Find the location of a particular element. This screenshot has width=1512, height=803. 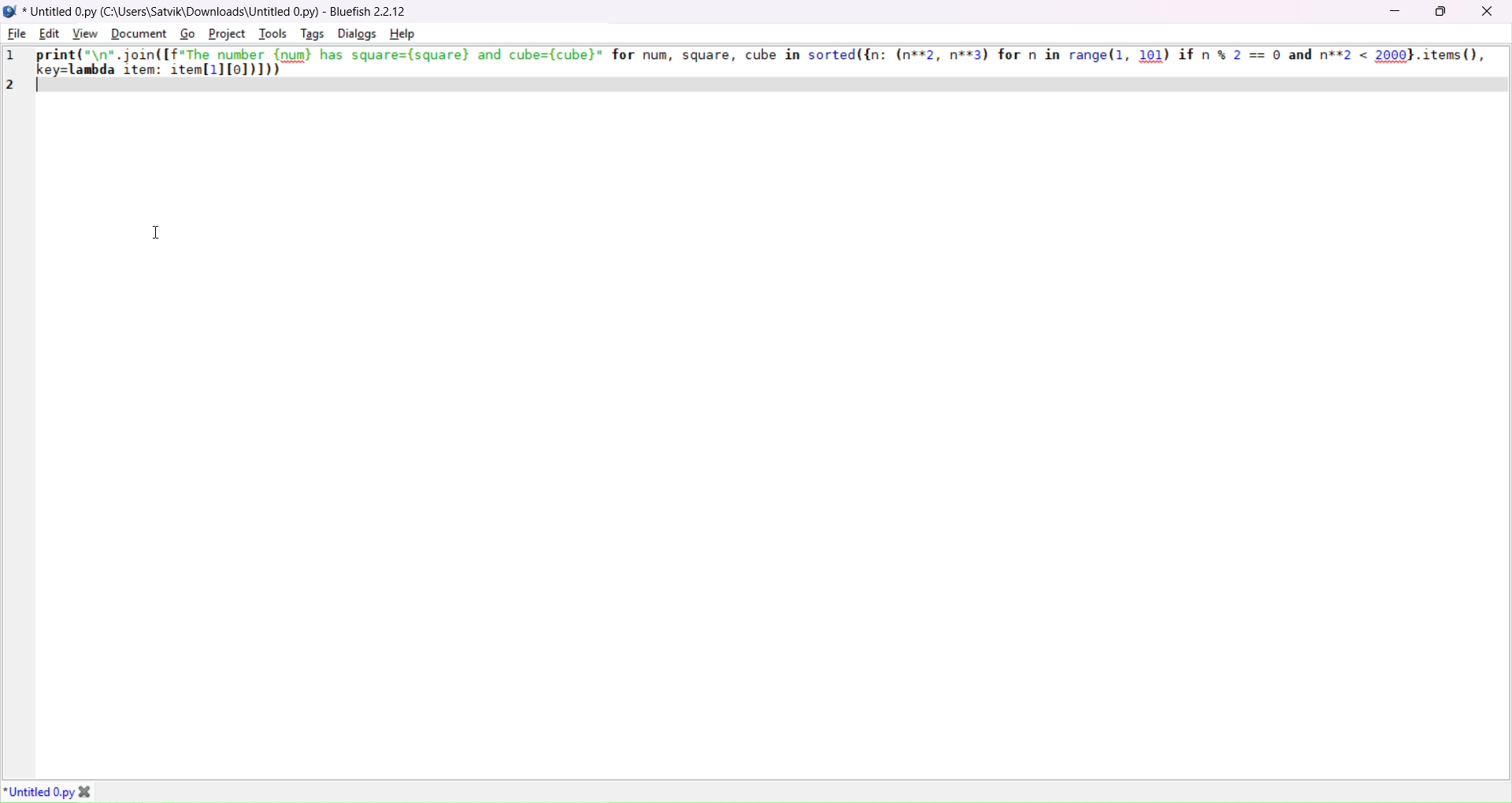

maximize is located at coordinates (1439, 10).